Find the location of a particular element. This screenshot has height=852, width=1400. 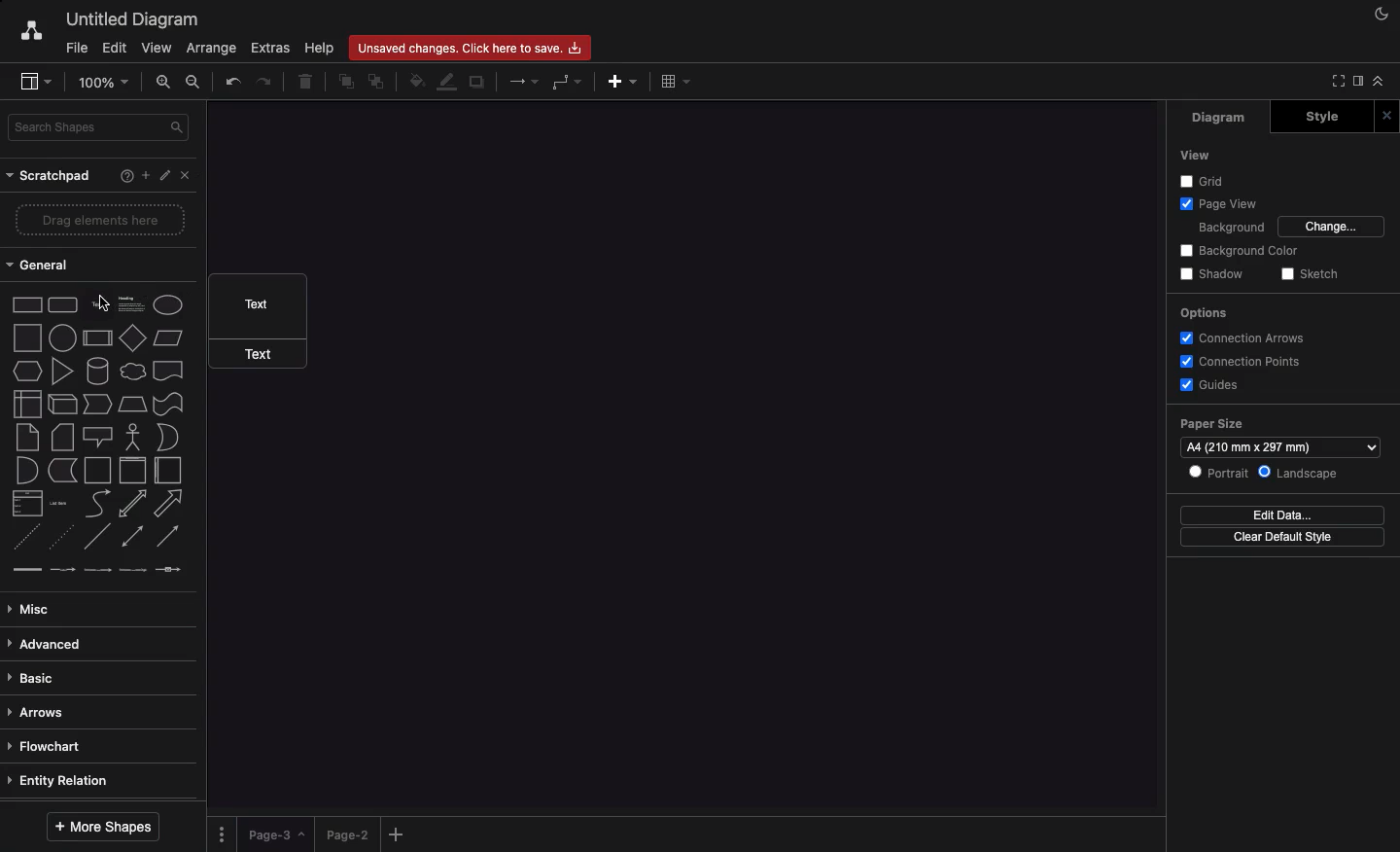

Duplicate is located at coordinates (479, 81).